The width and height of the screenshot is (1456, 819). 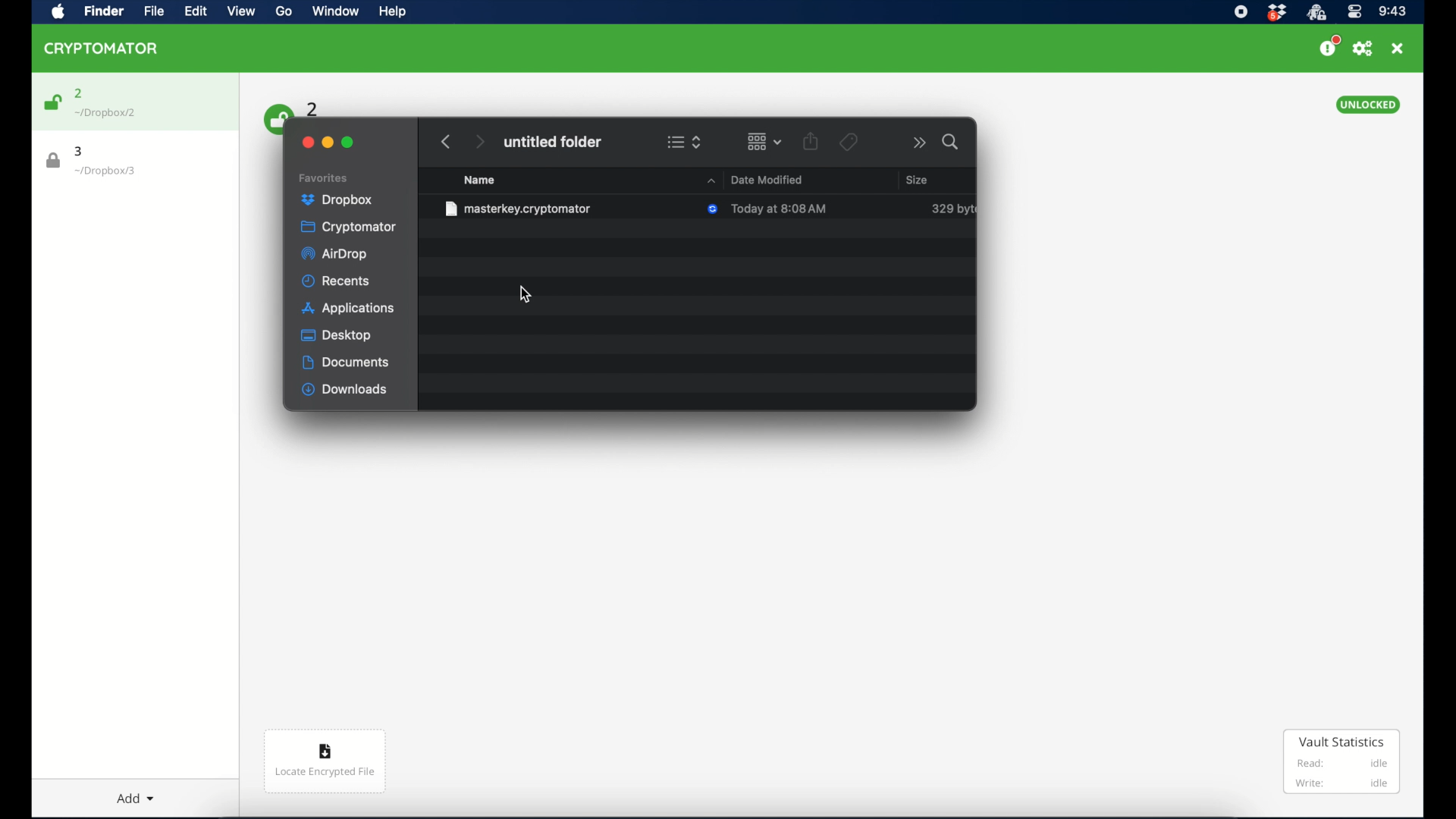 What do you see at coordinates (524, 294) in the screenshot?
I see `cursor` at bounding box center [524, 294].